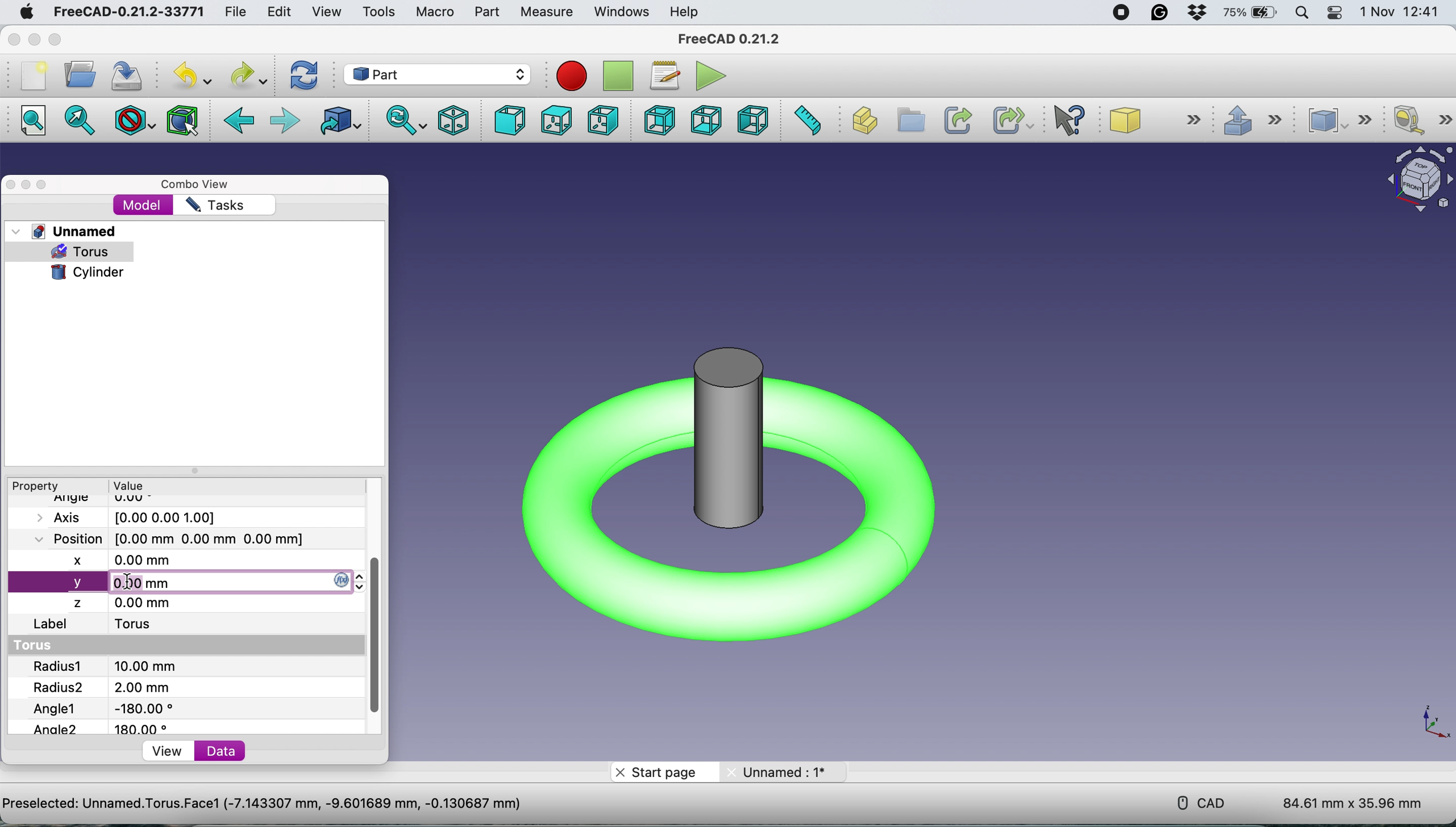  Describe the element at coordinates (57, 41) in the screenshot. I see `maximise` at that location.